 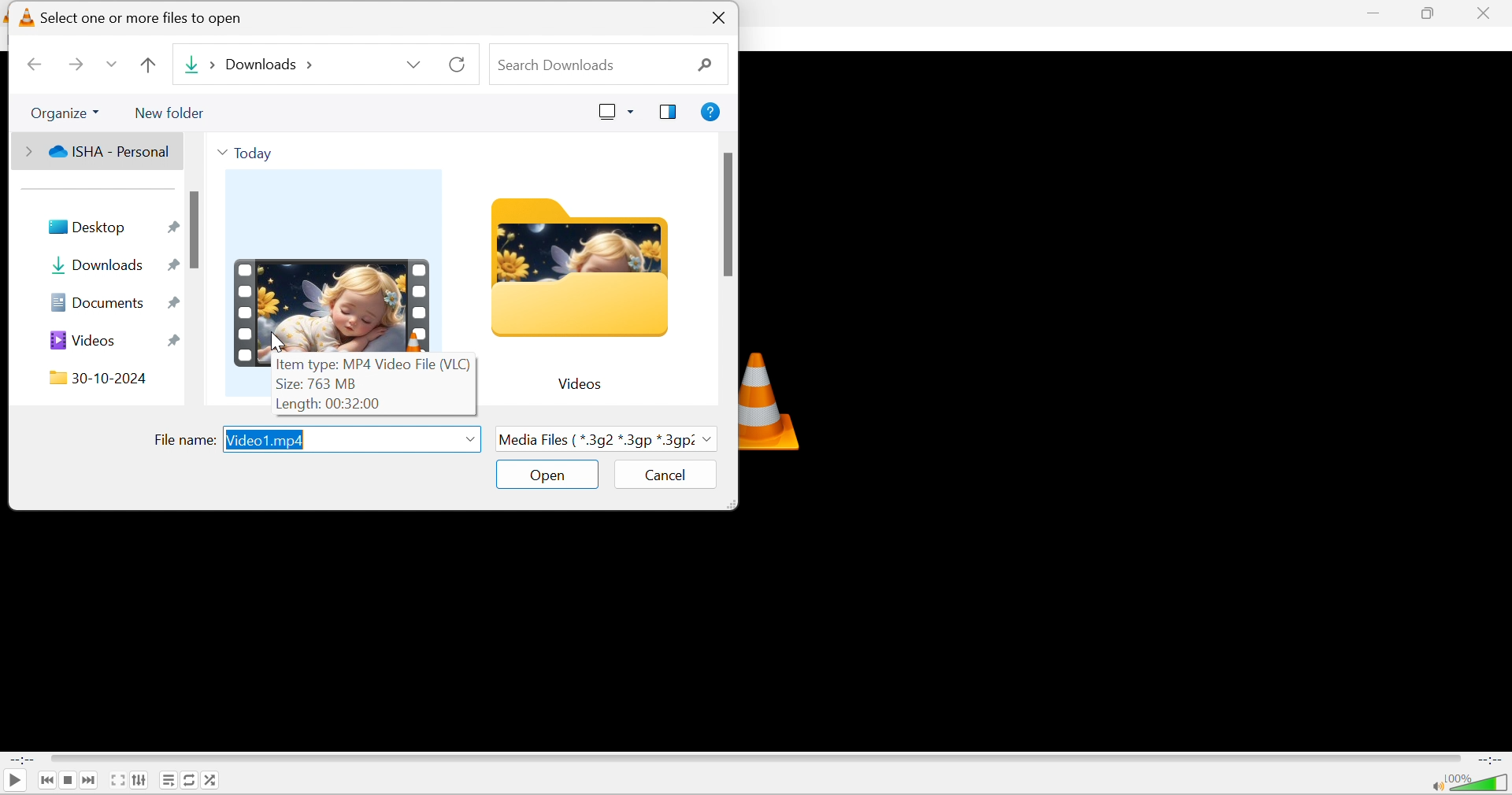 I want to click on ISHA - Personal, so click(x=98, y=150).